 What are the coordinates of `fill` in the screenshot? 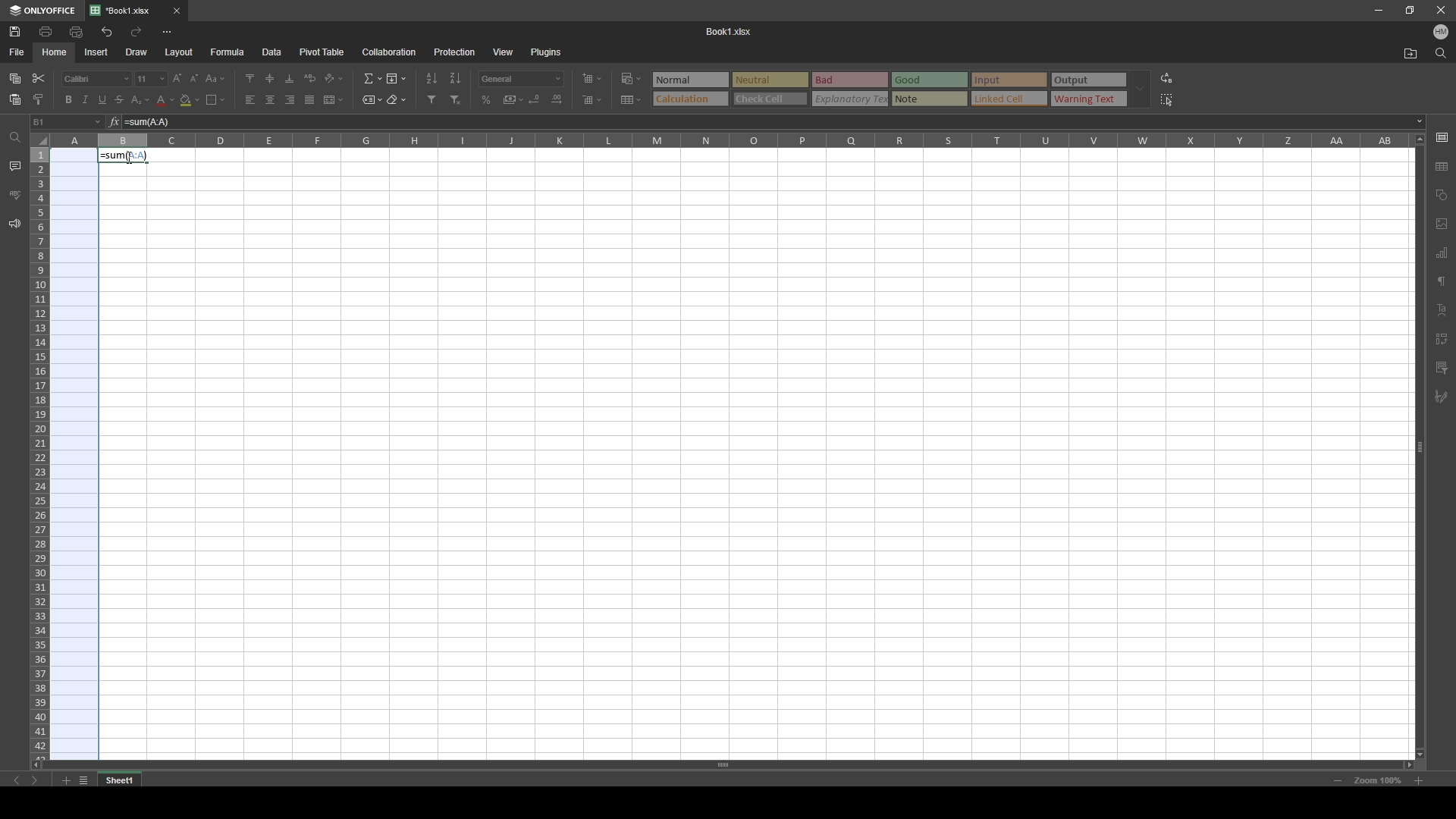 It's located at (396, 77).